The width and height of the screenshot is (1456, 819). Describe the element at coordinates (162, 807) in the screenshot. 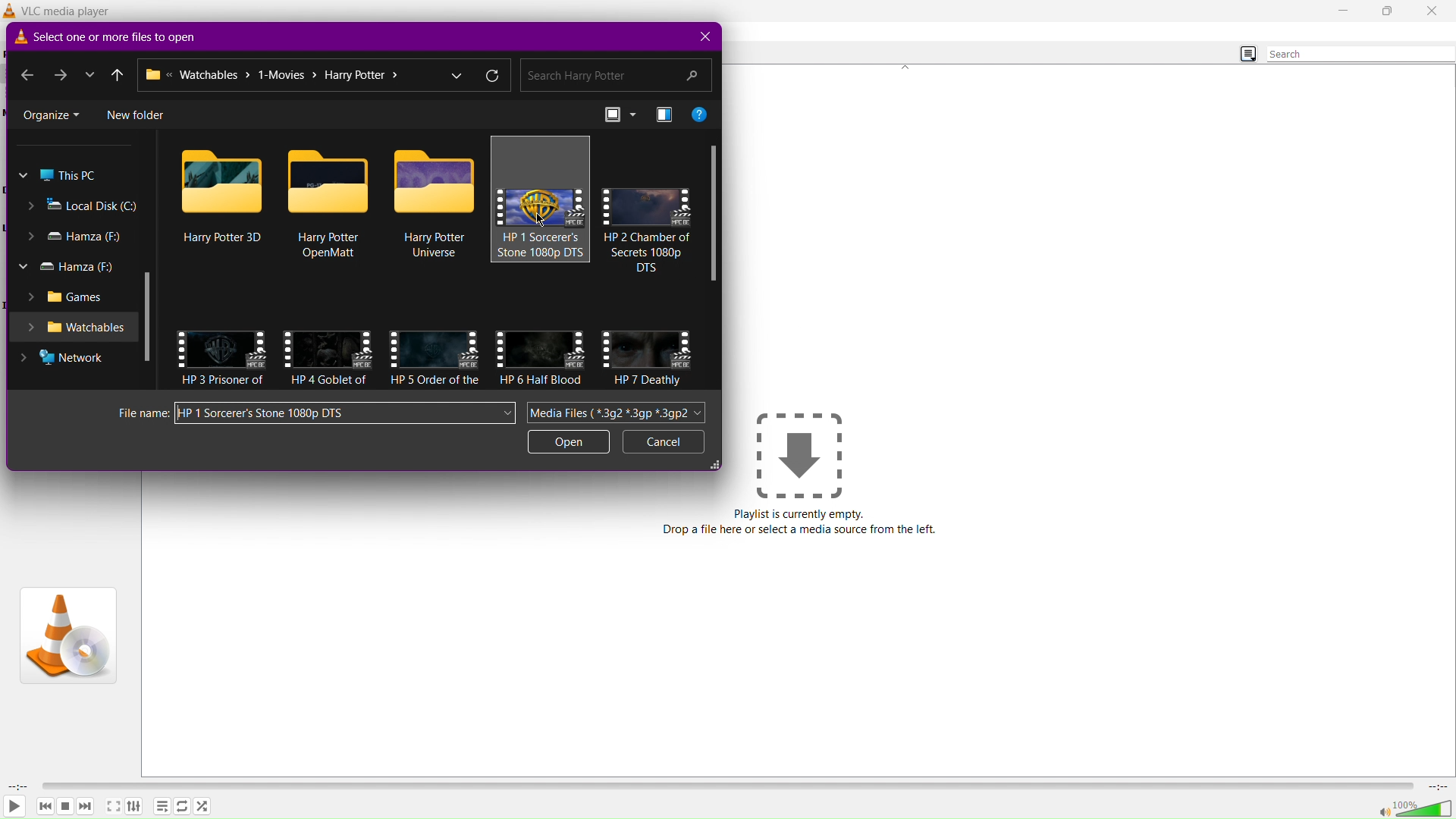

I see `Playlist` at that location.